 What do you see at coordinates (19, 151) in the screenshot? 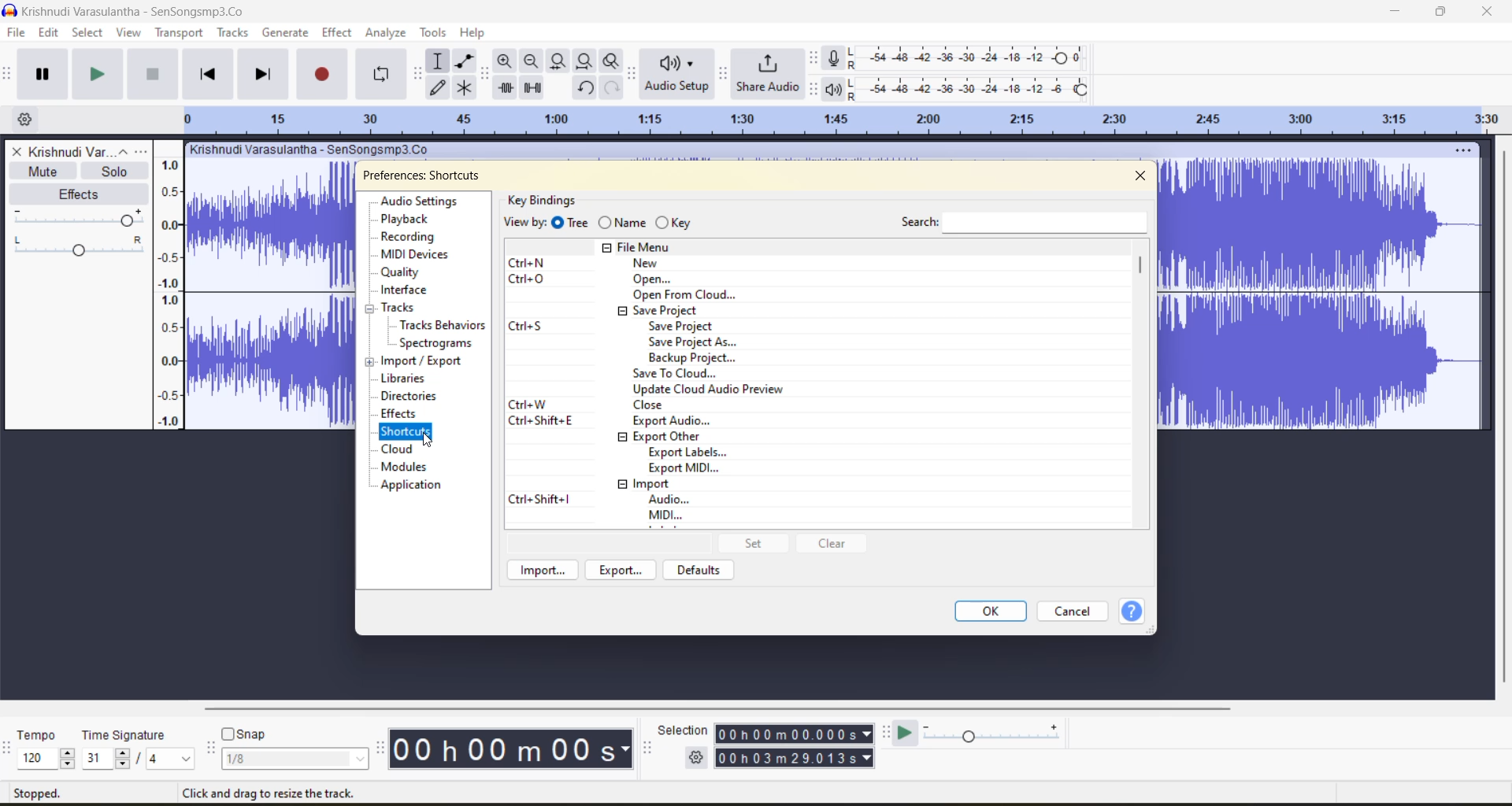
I see `delete track` at bounding box center [19, 151].